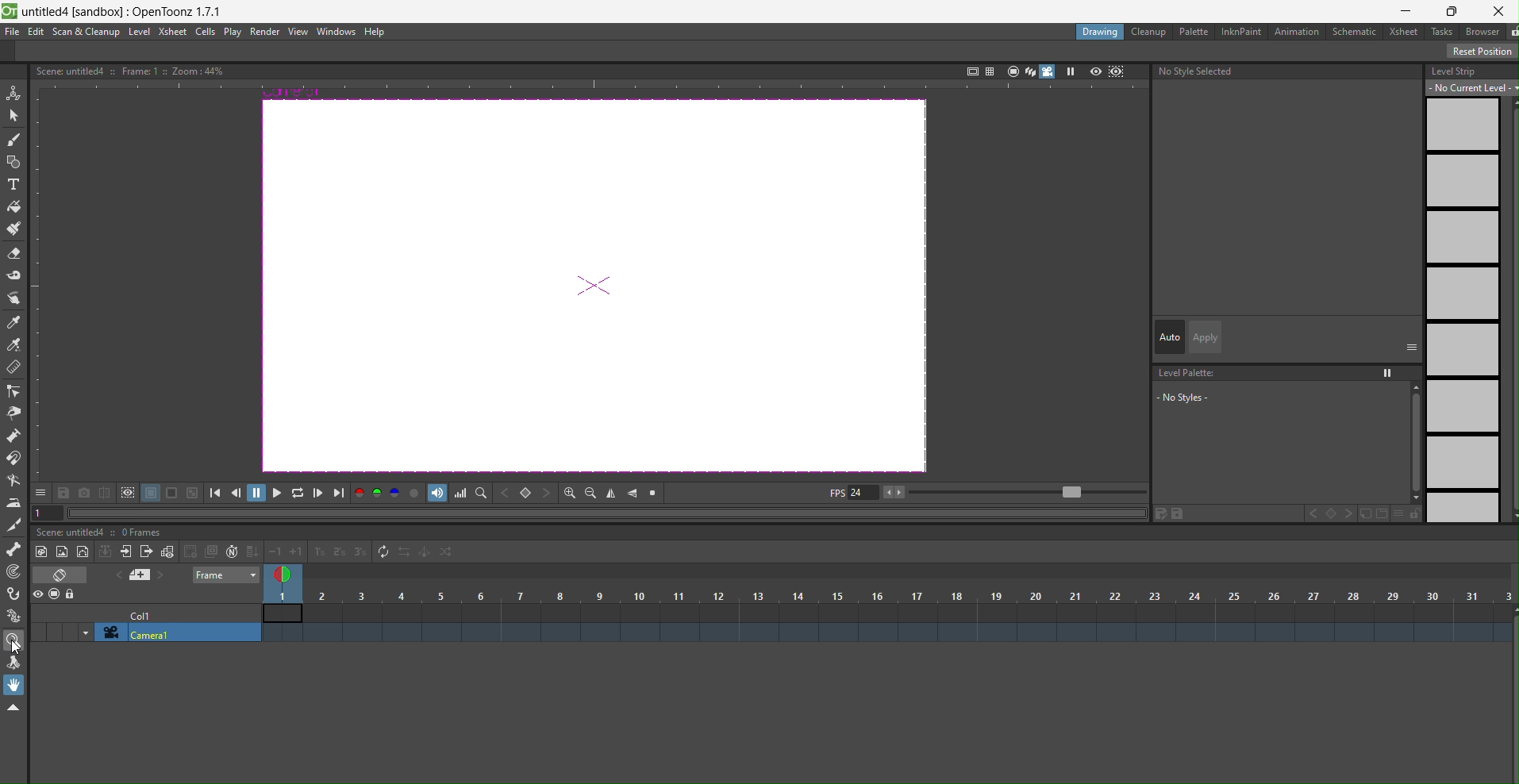 Image resolution: width=1519 pixels, height=784 pixels. I want to click on icons, so click(996, 71).